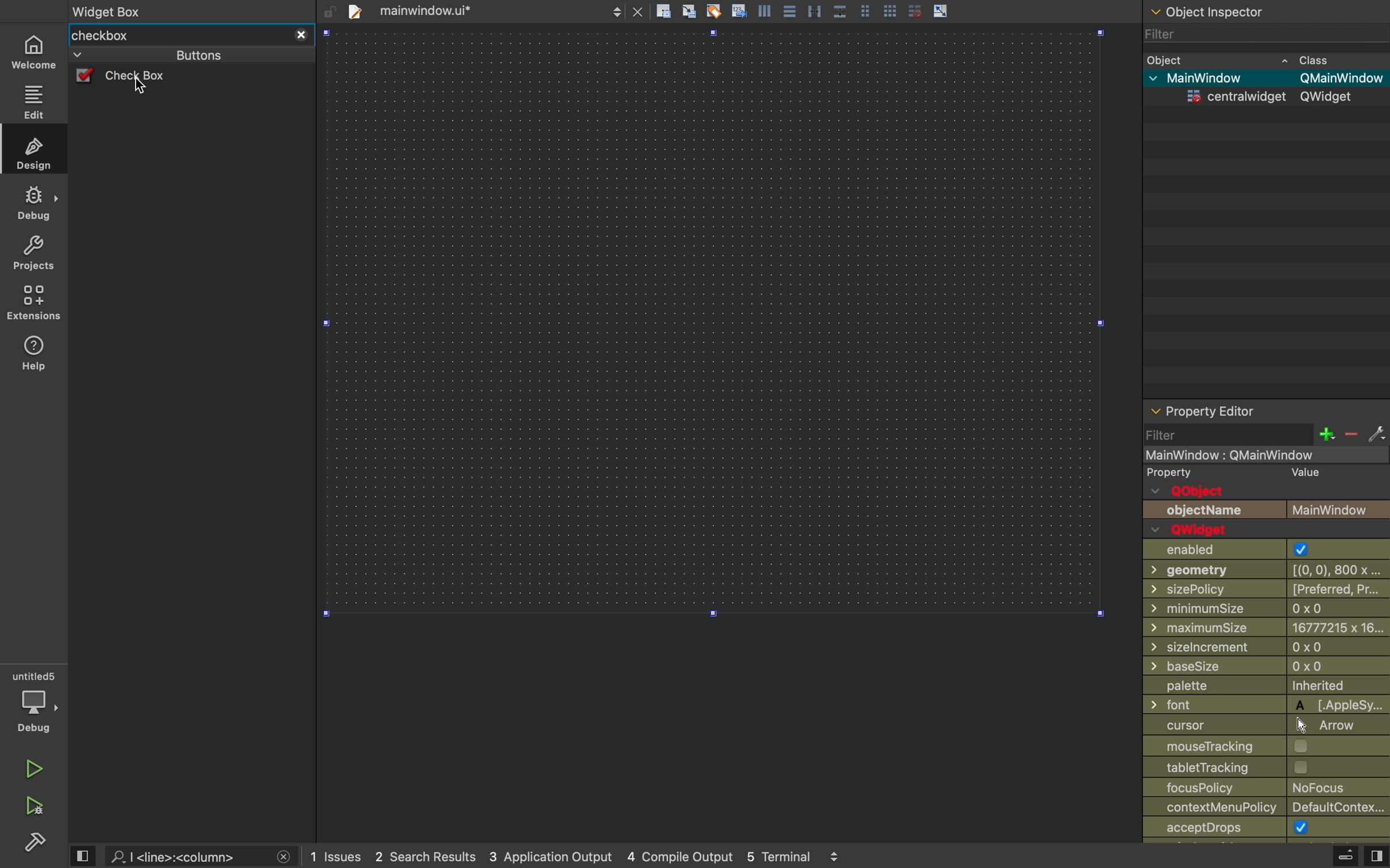 This screenshot has width=1390, height=868. What do you see at coordinates (29, 769) in the screenshot?
I see `run` at bounding box center [29, 769].